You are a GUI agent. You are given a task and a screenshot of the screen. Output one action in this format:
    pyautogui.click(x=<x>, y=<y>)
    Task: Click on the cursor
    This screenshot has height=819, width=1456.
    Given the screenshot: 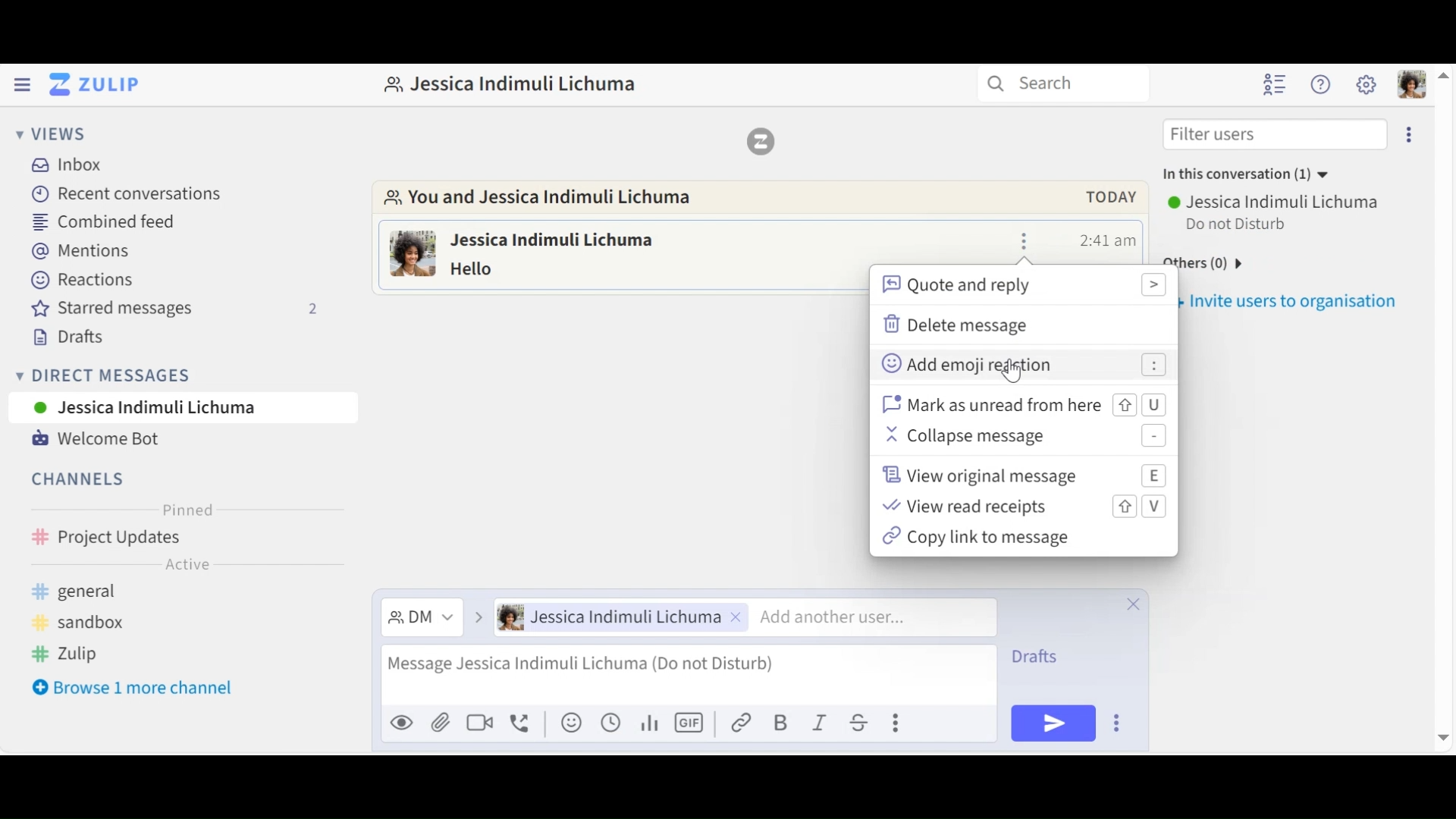 What is the action you would take?
    pyautogui.click(x=1019, y=375)
    